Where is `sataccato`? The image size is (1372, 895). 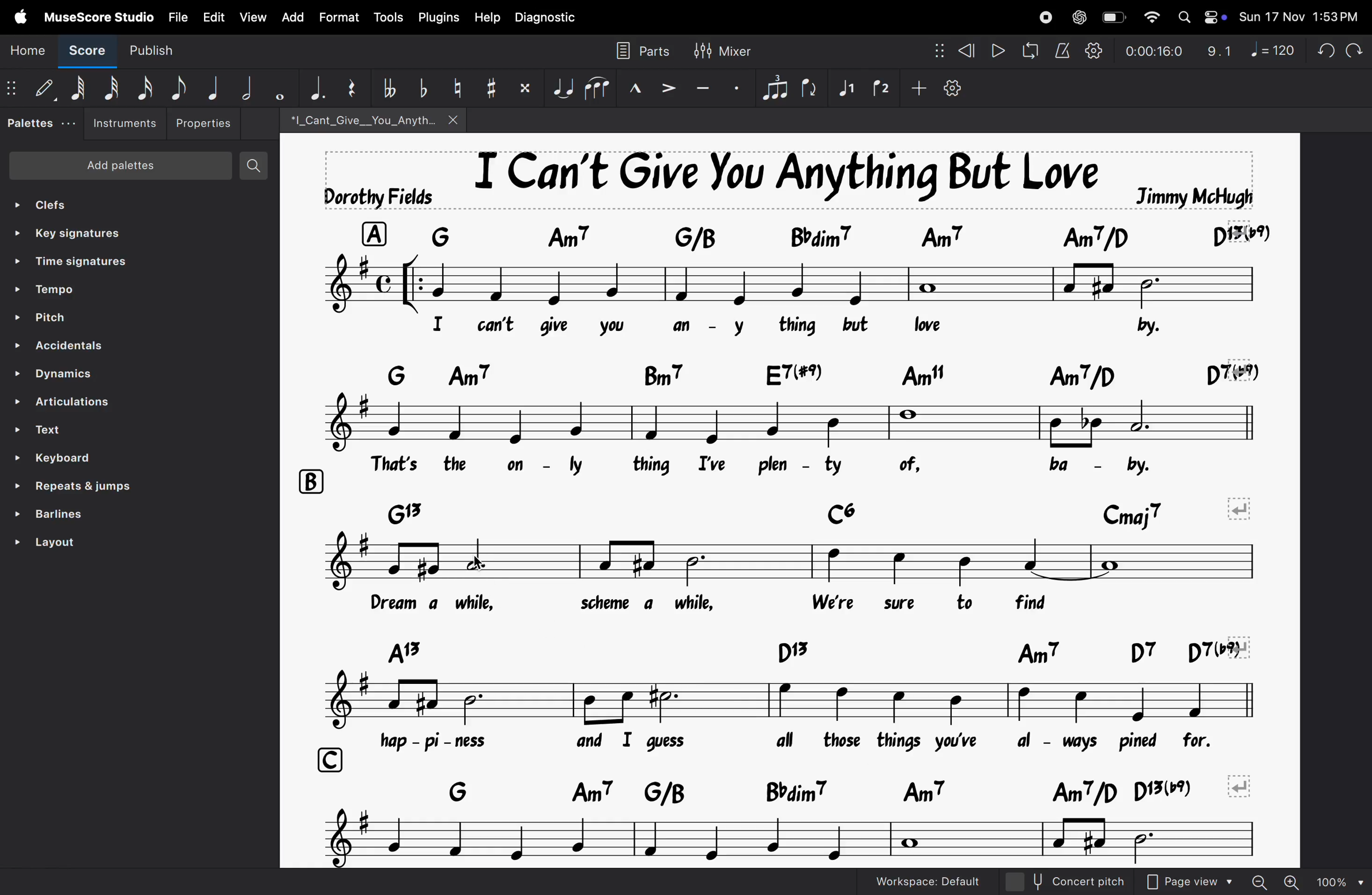 sataccato is located at coordinates (741, 86).